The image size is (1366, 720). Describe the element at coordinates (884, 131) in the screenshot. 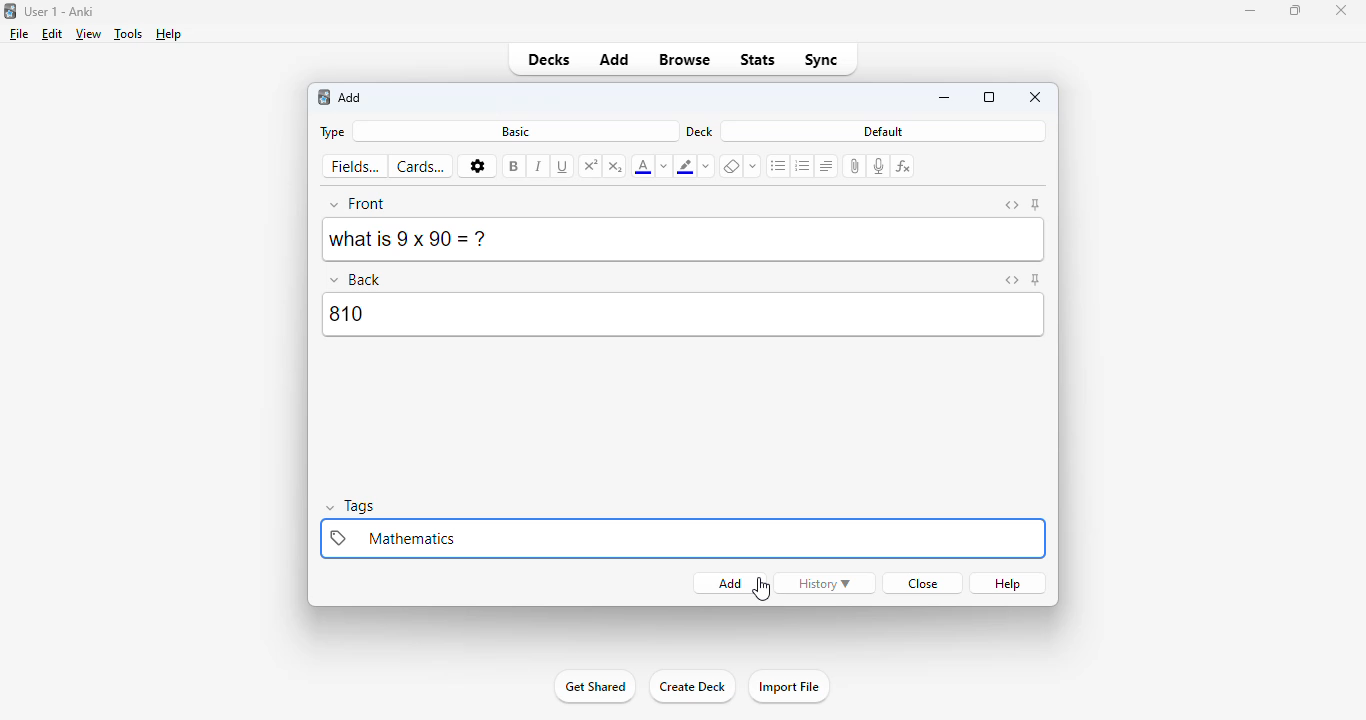

I see `default` at that location.